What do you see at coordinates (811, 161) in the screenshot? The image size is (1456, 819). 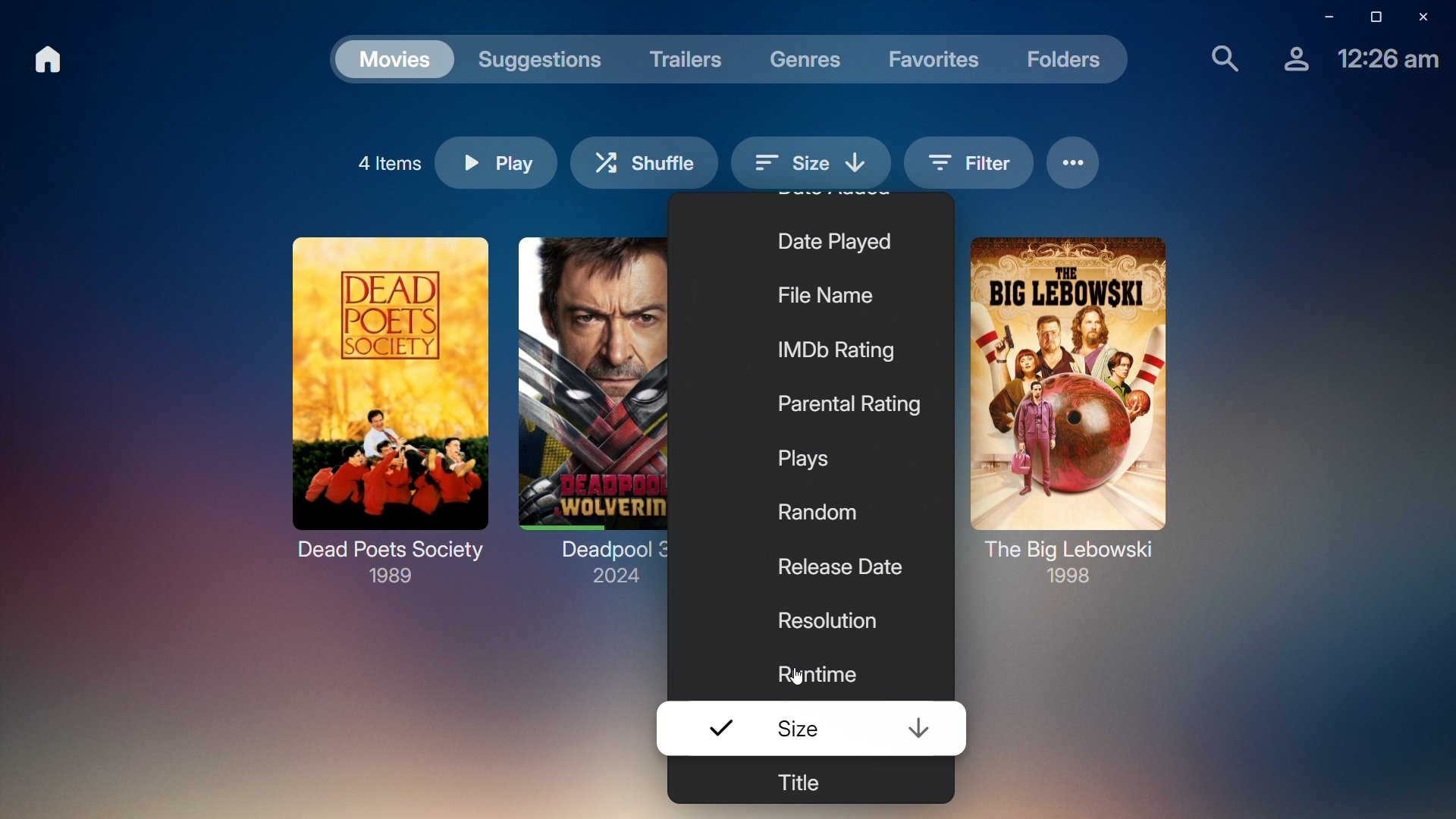 I see `Size` at bounding box center [811, 161].